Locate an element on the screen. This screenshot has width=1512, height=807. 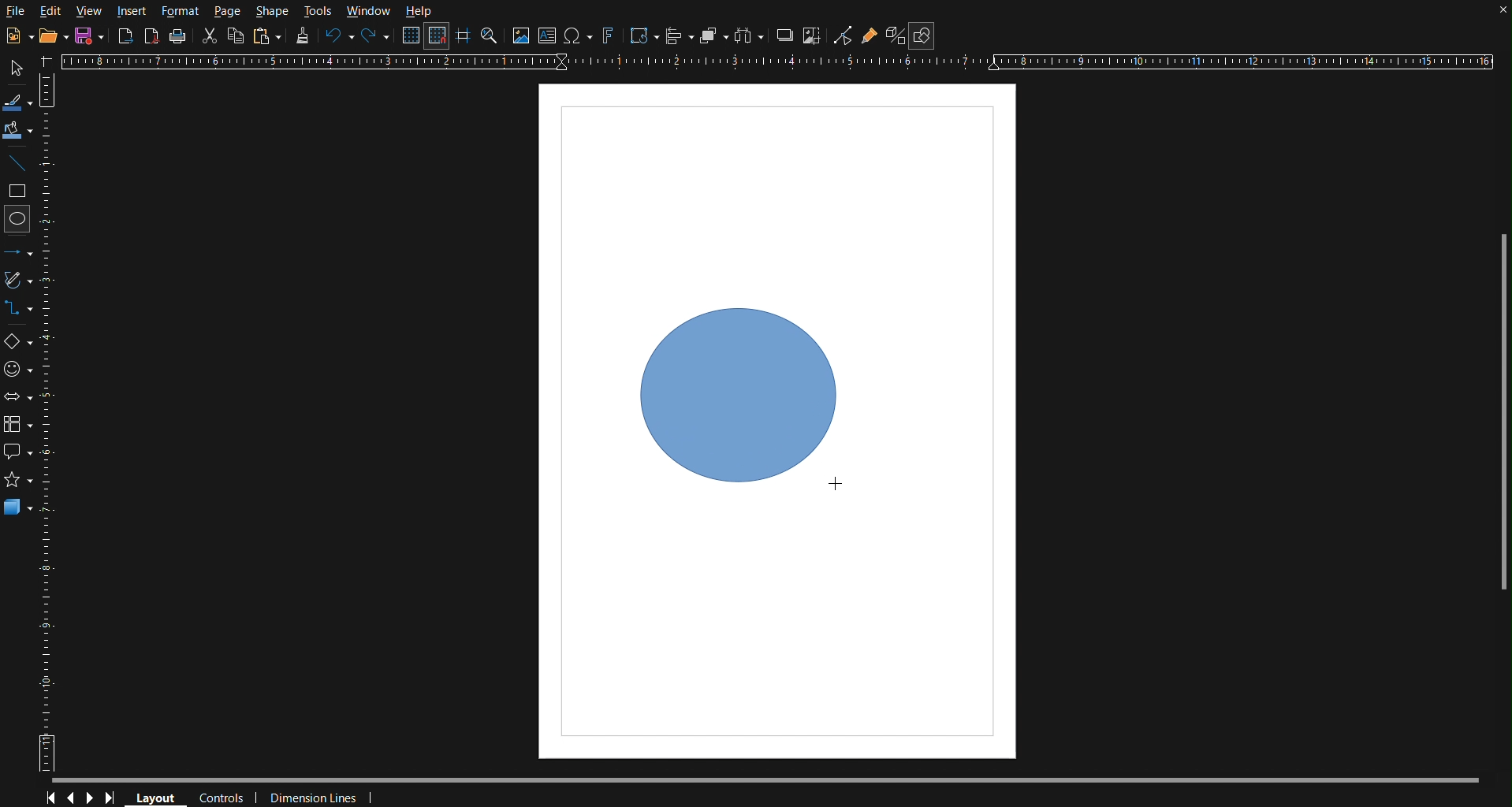
Circle 1 (Dragged) is located at coordinates (743, 399).